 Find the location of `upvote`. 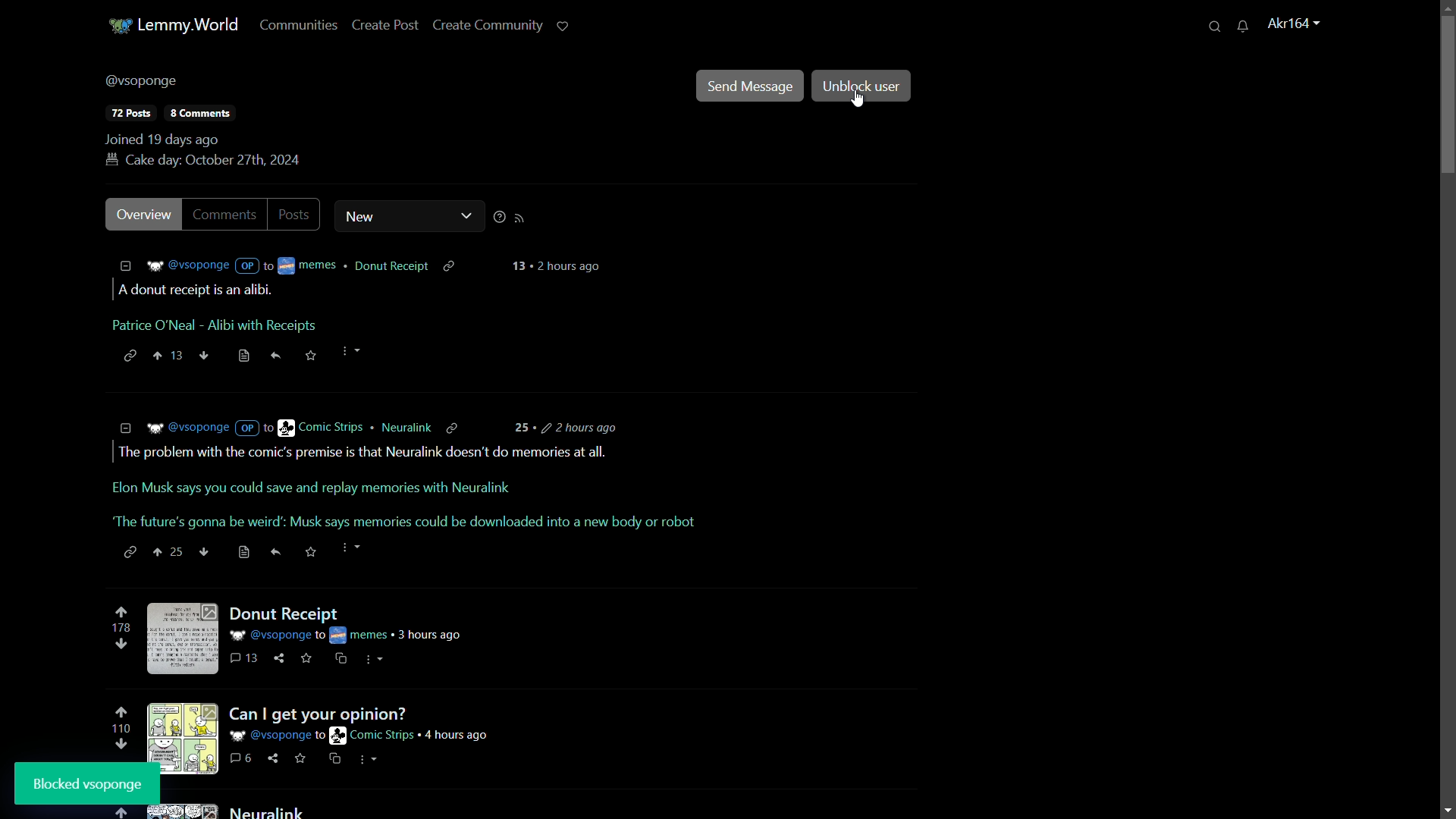

upvote is located at coordinates (121, 613).